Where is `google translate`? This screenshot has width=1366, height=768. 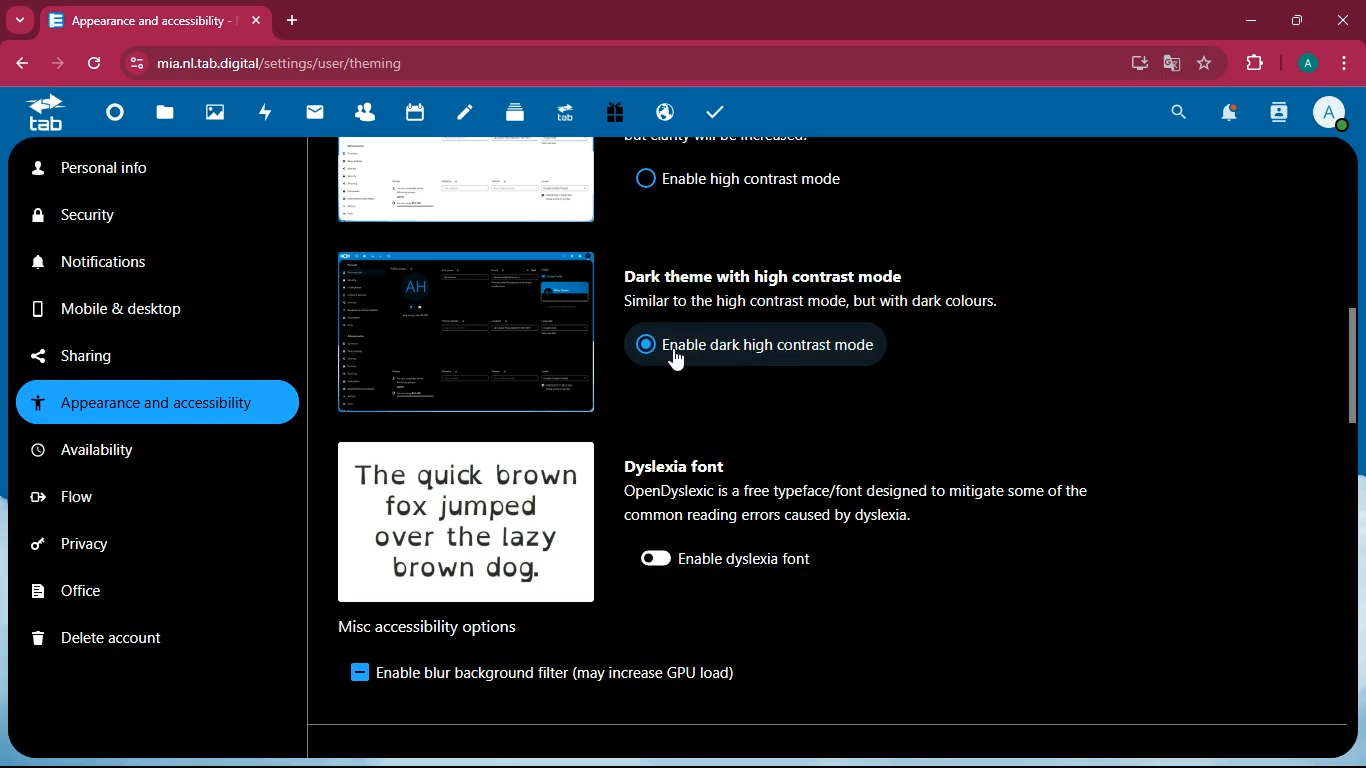 google translate is located at coordinates (1170, 63).